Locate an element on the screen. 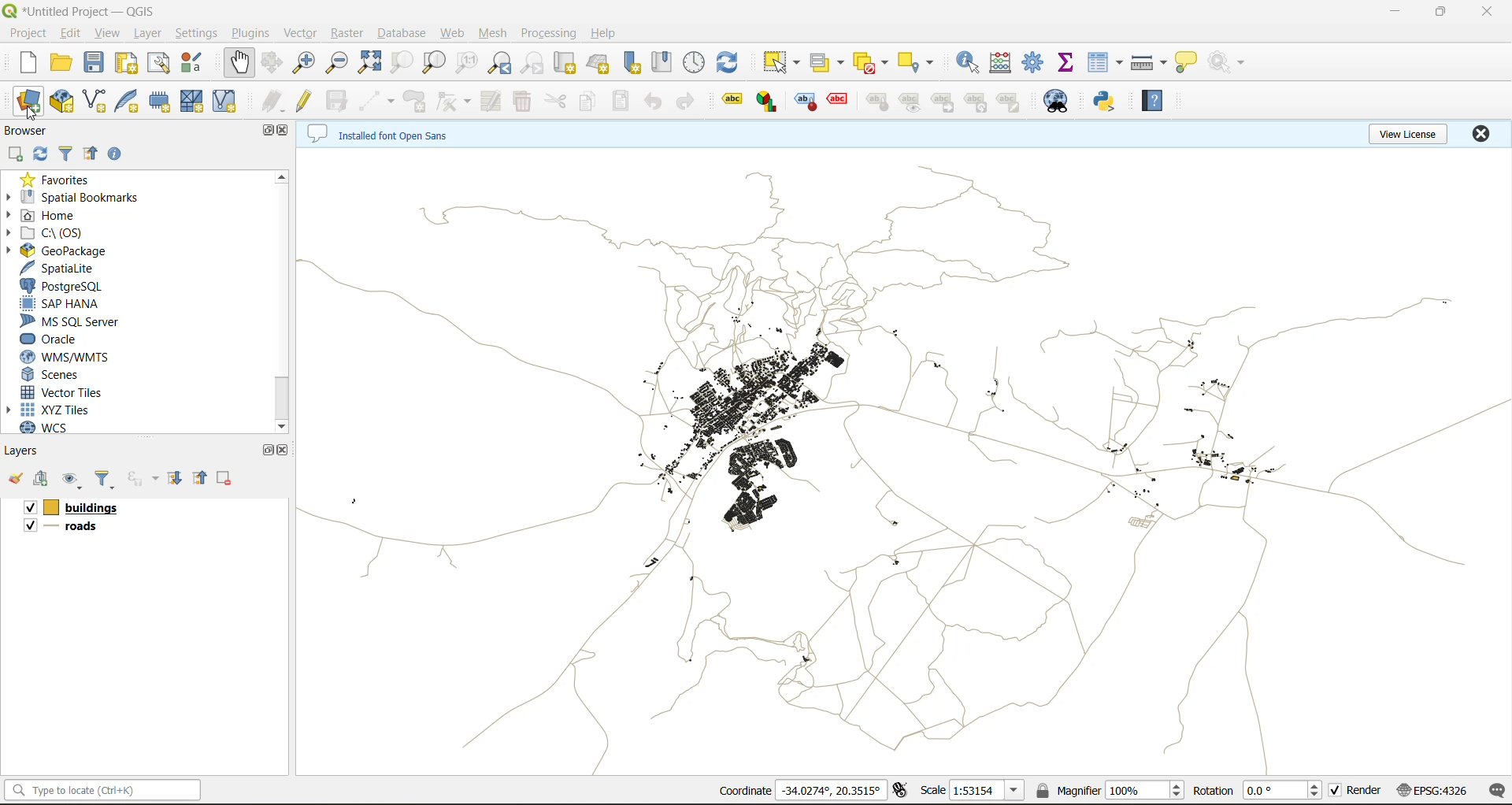  filter is located at coordinates (69, 152).